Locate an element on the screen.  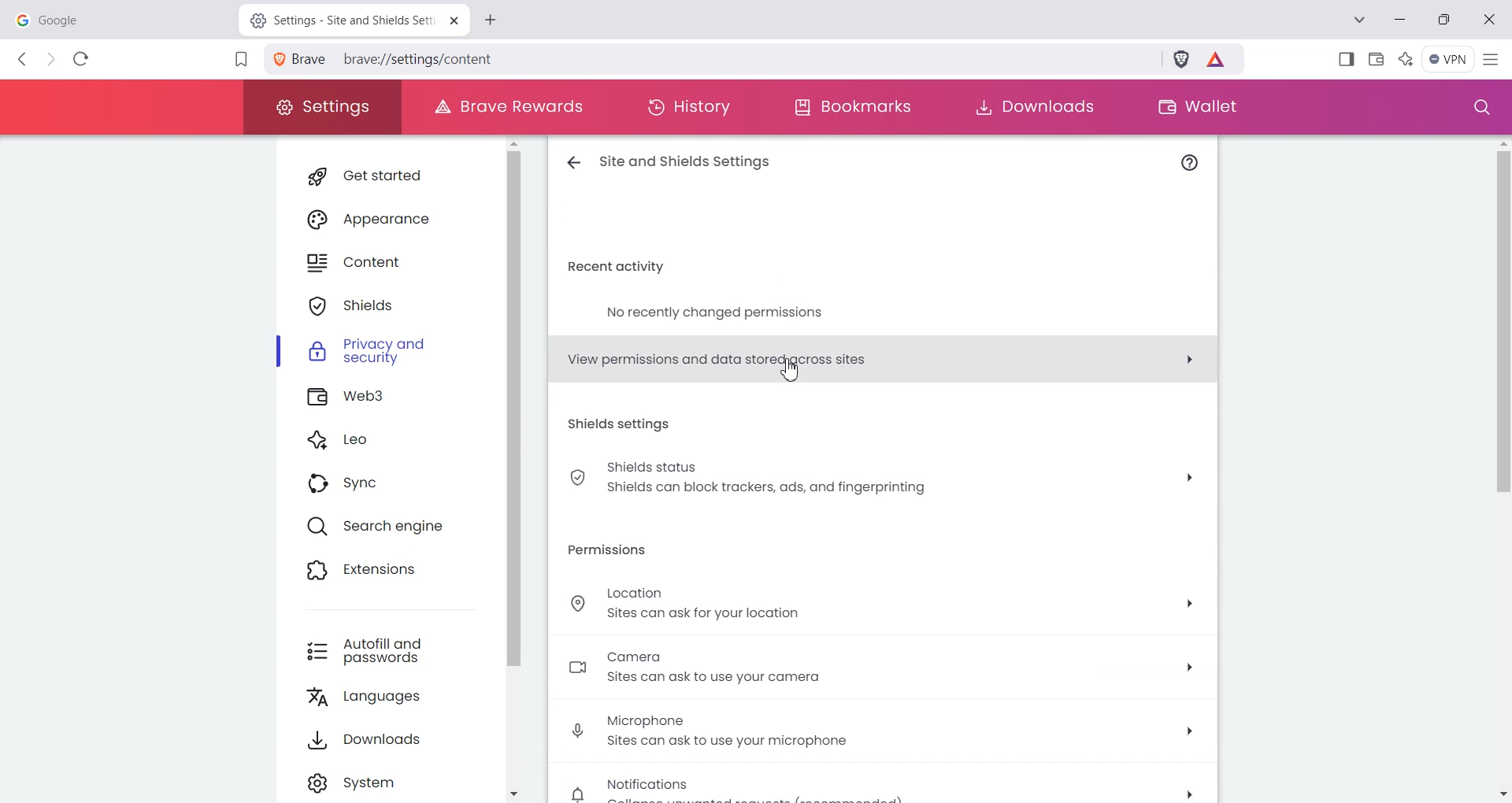
Privacy and security is located at coordinates (390, 354).